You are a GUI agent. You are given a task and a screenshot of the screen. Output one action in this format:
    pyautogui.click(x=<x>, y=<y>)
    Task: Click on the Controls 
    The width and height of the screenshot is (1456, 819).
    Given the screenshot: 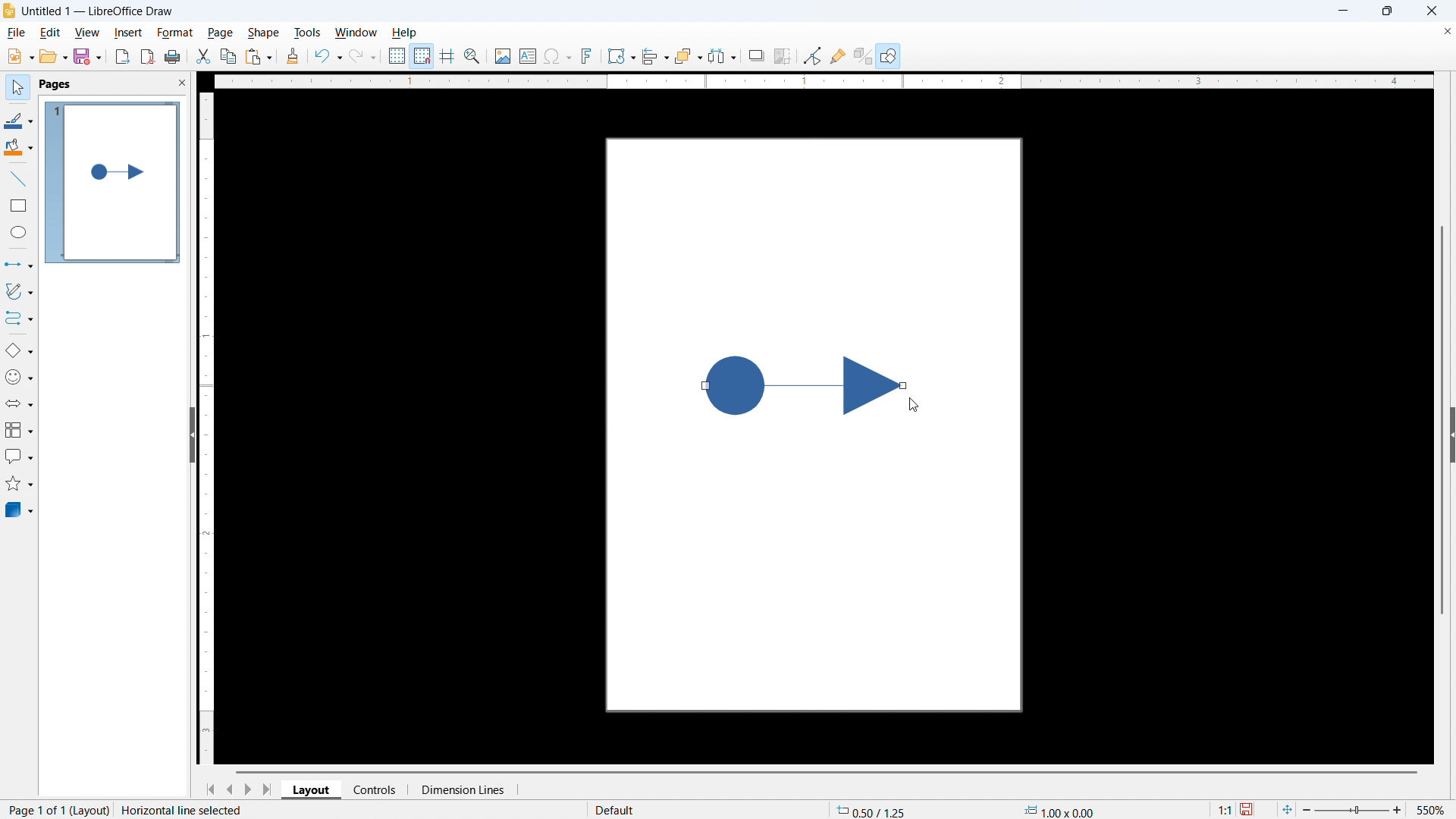 What is the action you would take?
    pyautogui.click(x=376, y=789)
    